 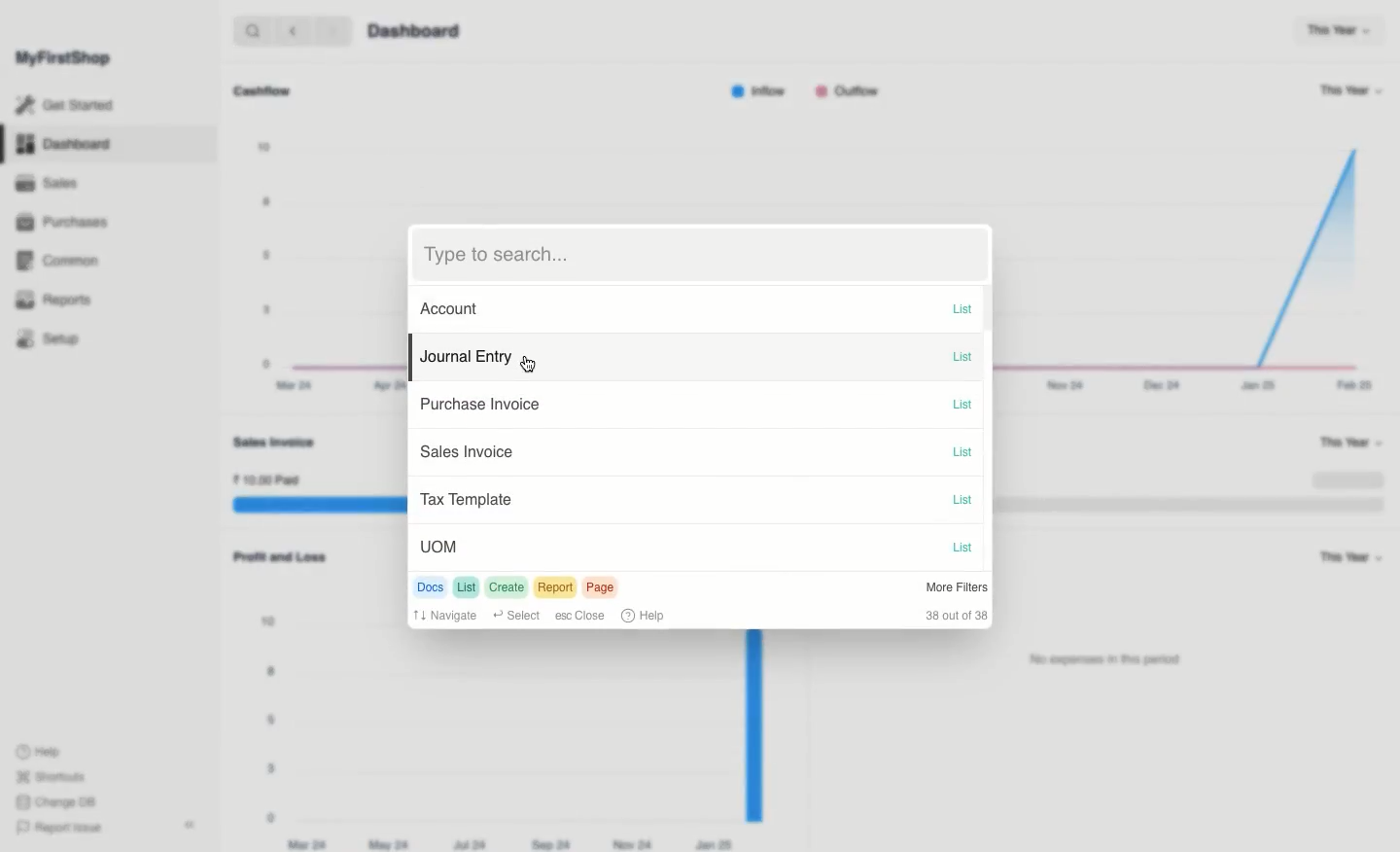 I want to click on Docs, so click(x=430, y=586).